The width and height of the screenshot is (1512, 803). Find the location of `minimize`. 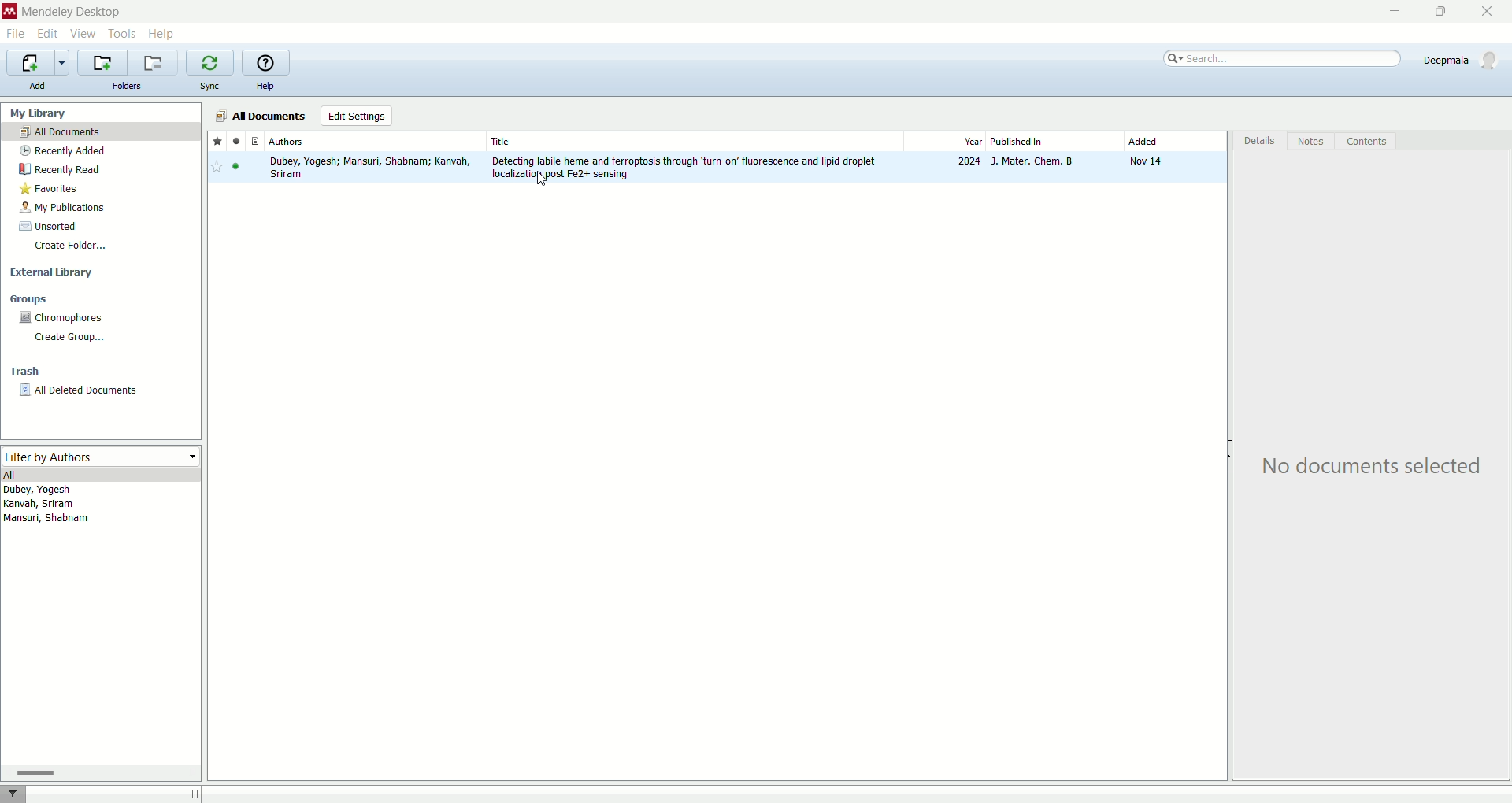

minimize is located at coordinates (1391, 13).